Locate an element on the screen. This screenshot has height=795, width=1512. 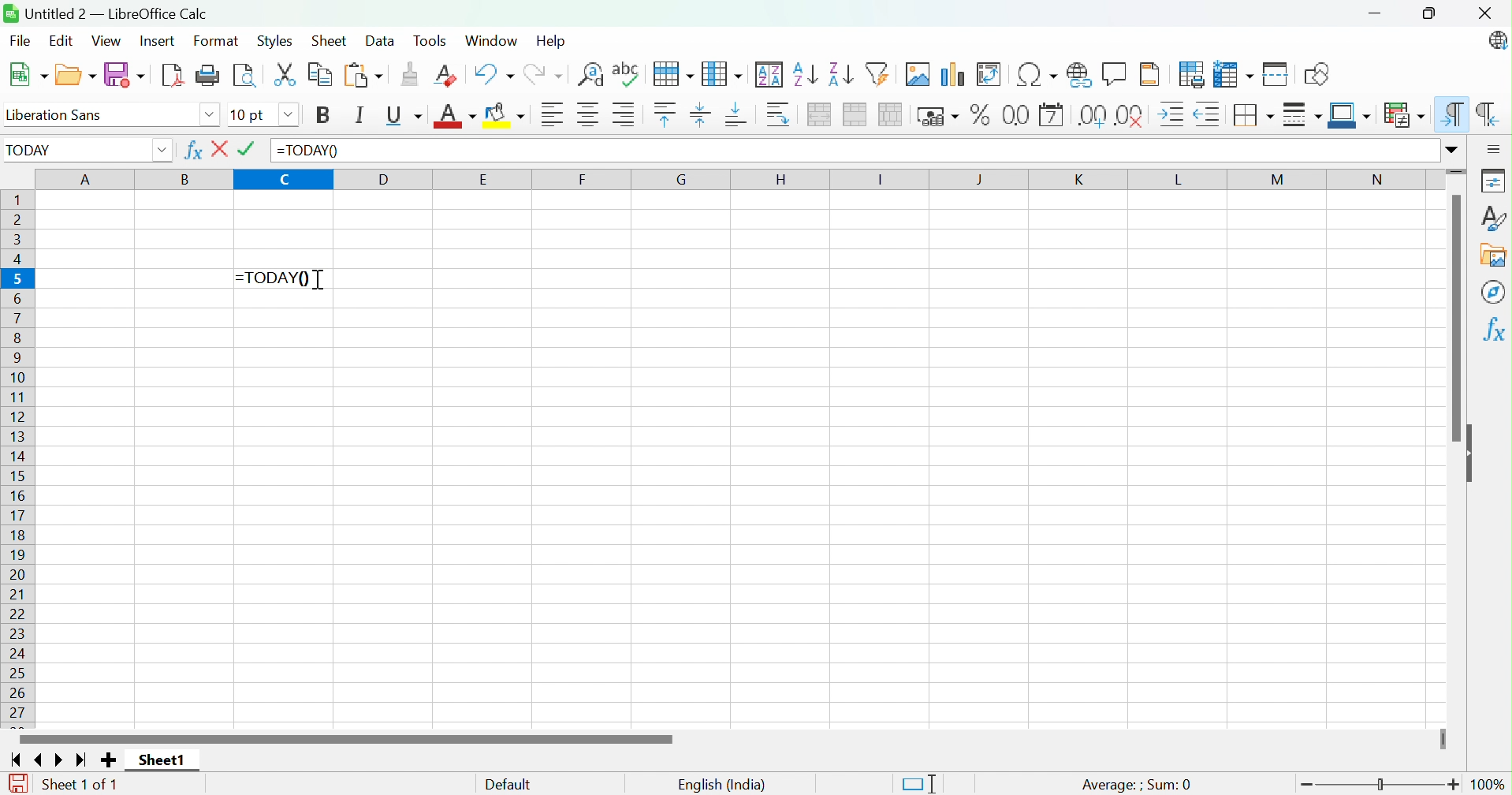
Insert special characters is located at coordinates (1035, 75).